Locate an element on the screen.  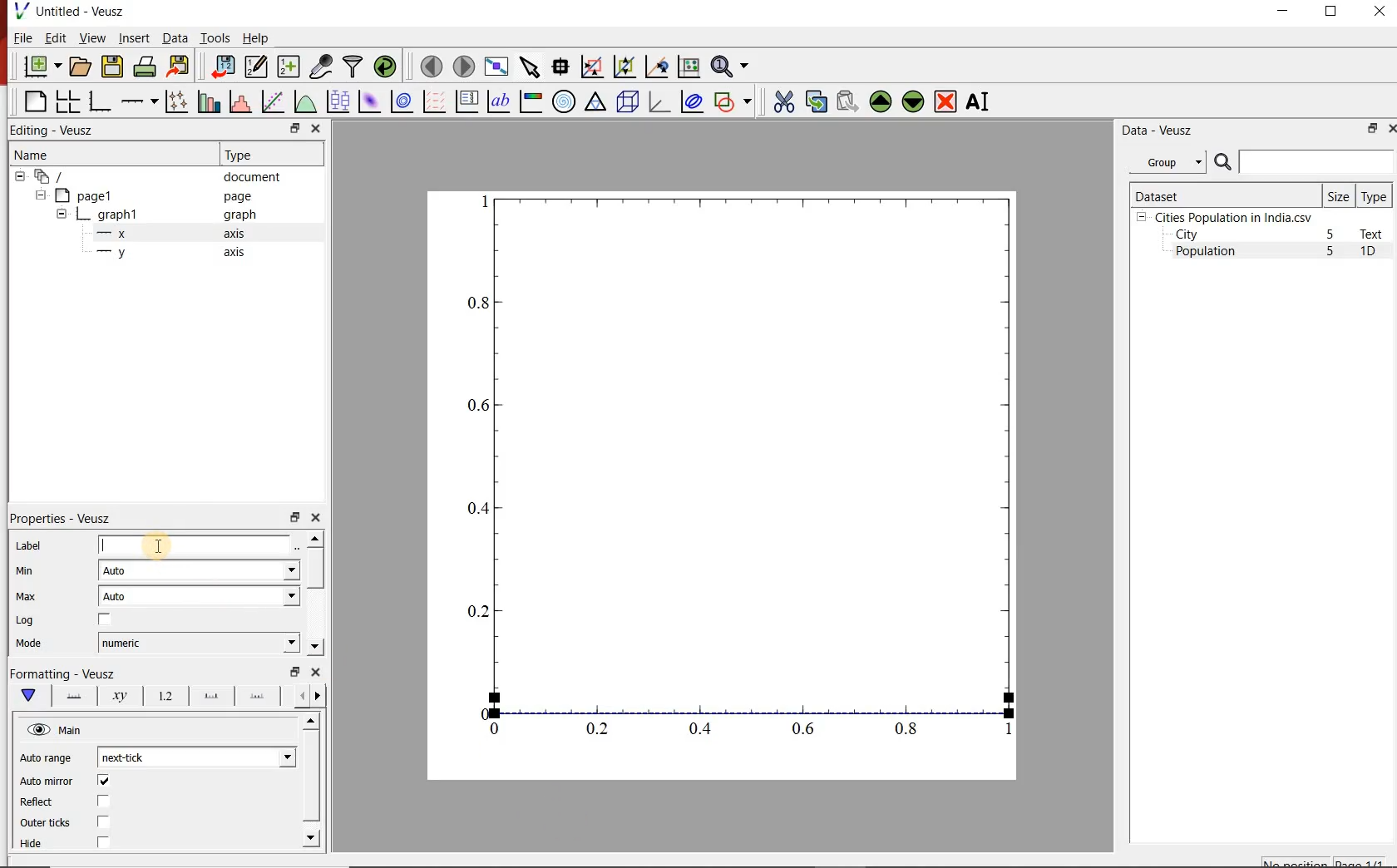
move to the previous page is located at coordinates (429, 65).